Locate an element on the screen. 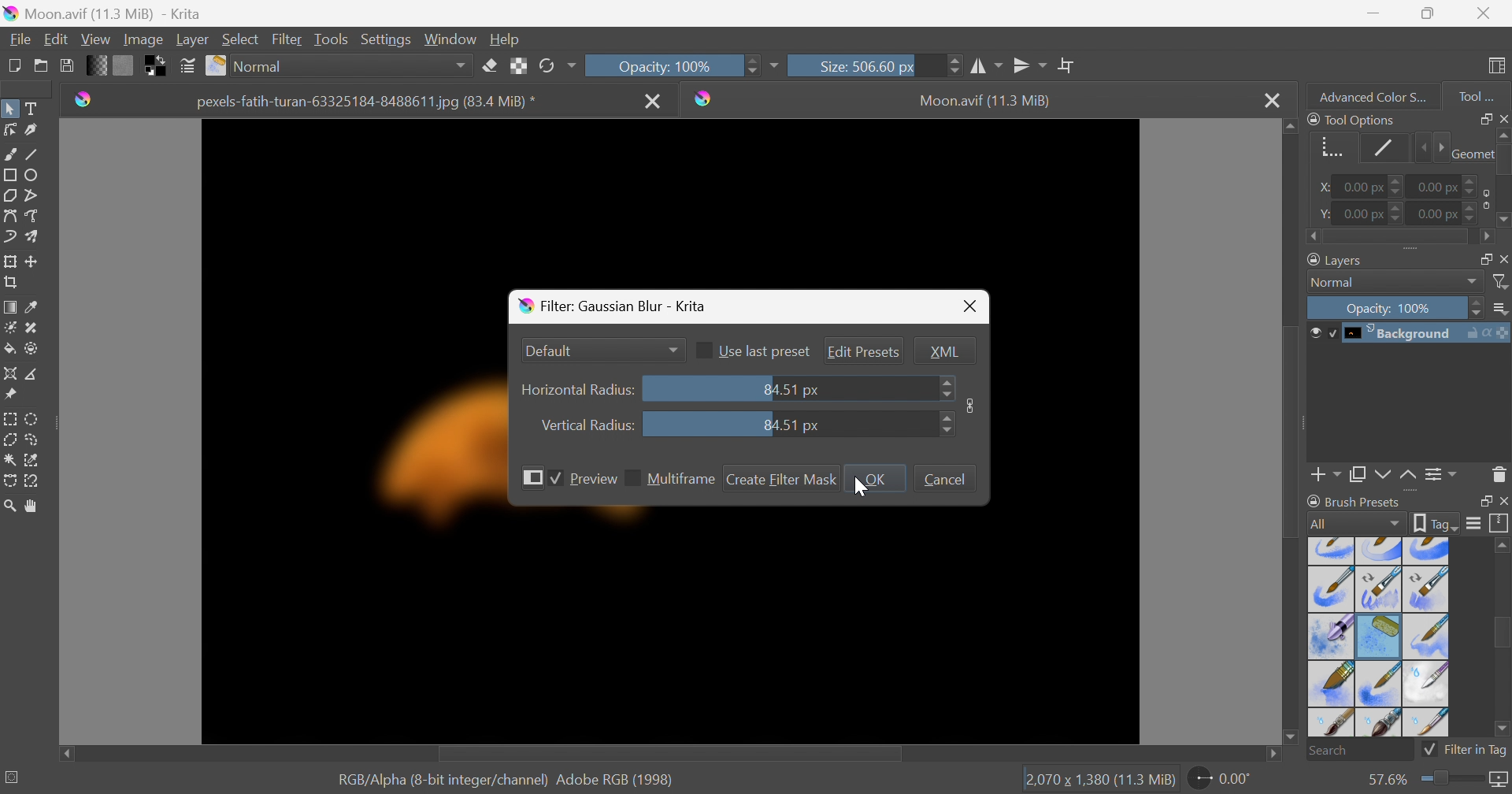 This screenshot has height=794, width=1512. Enclose and fill tool is located at coordinates (31, 350).